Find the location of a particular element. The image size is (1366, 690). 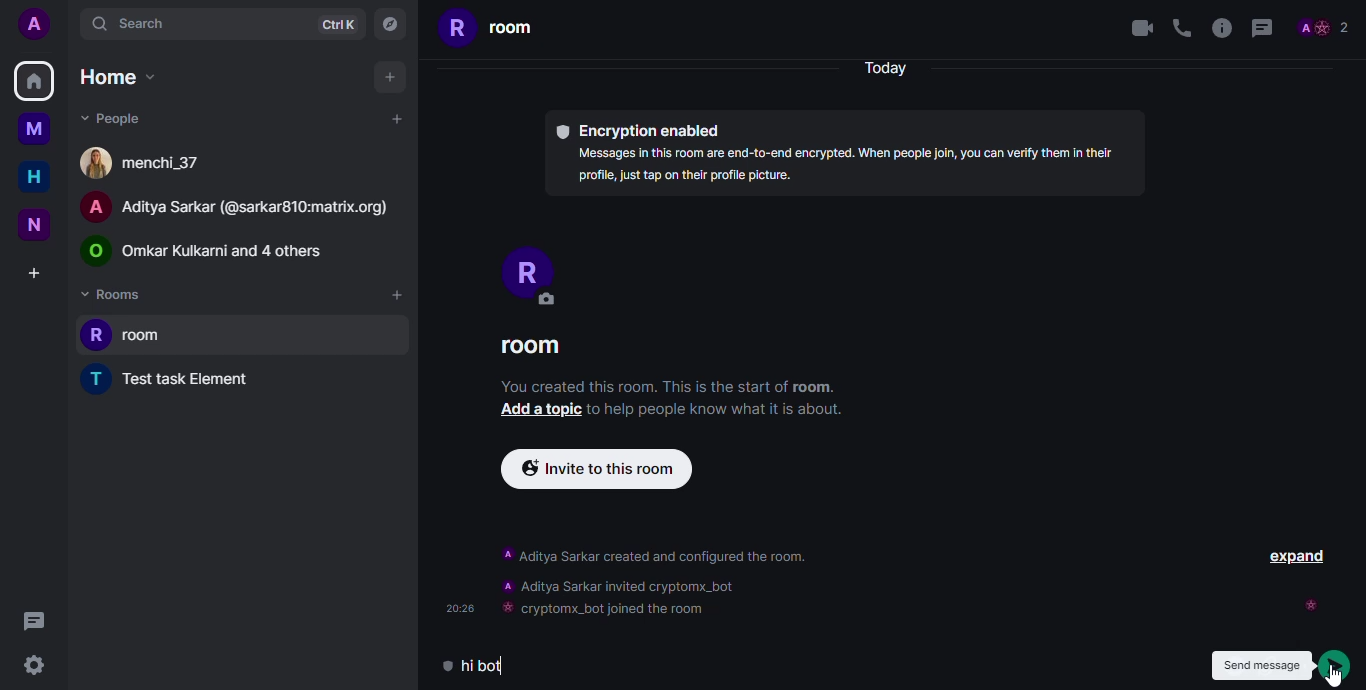

add is located at coordinates (398, 119).